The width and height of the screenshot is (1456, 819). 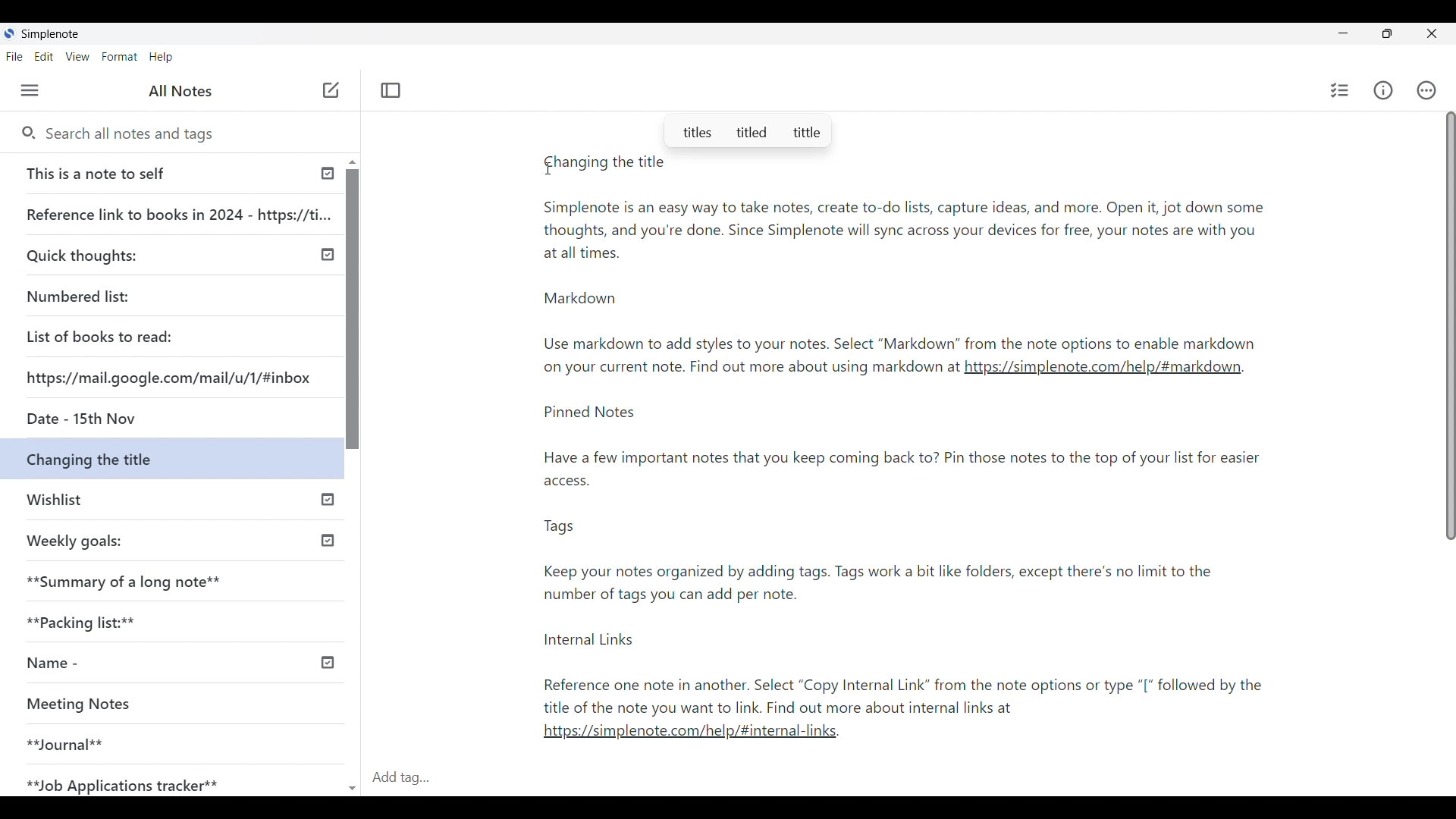 What do you see at coordinates (30, 90) in the screenshot?
I see `Menu` at bounding box center [30, 90].